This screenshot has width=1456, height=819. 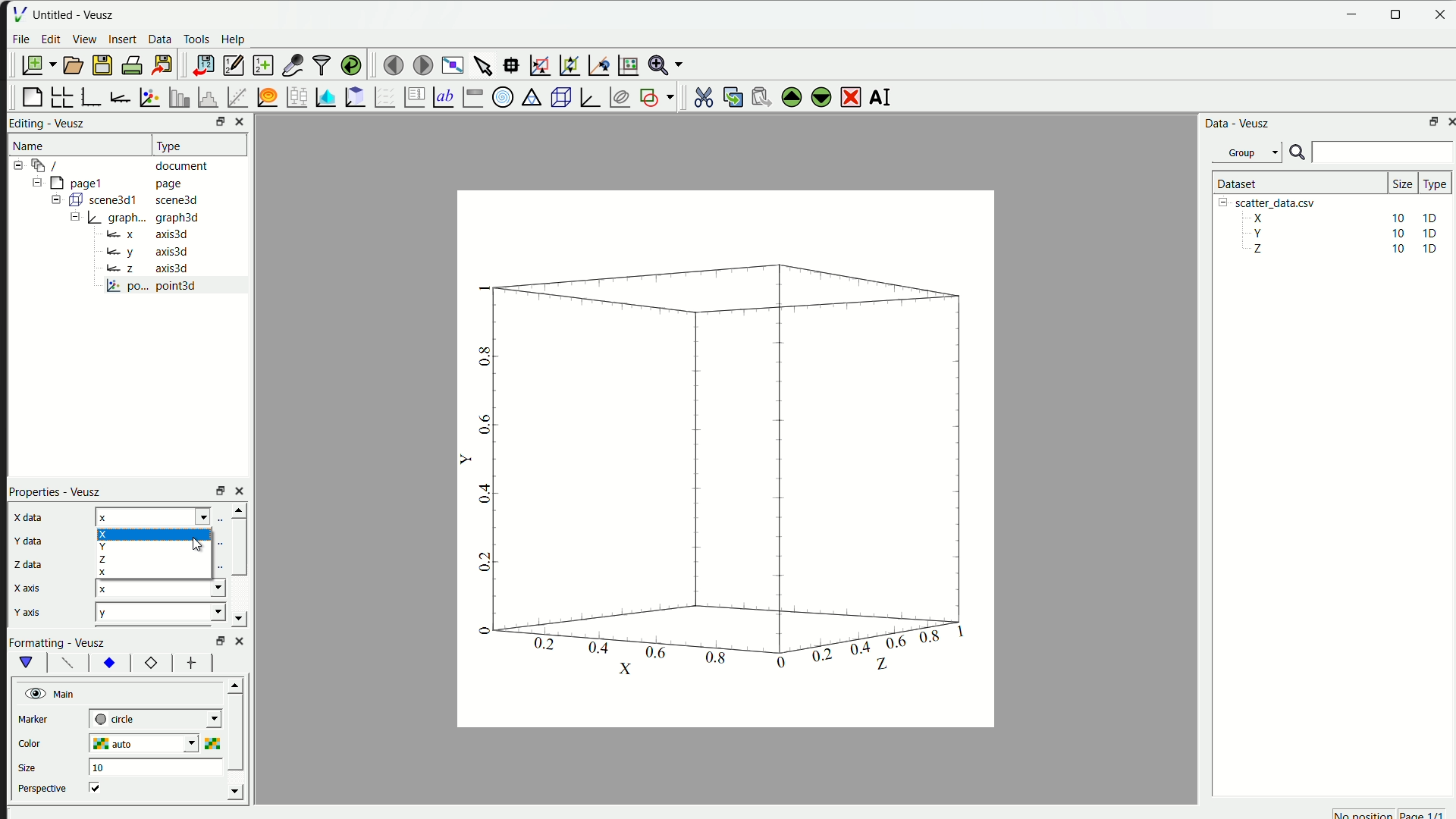 I want to click on close, so click(x=240, y=640).